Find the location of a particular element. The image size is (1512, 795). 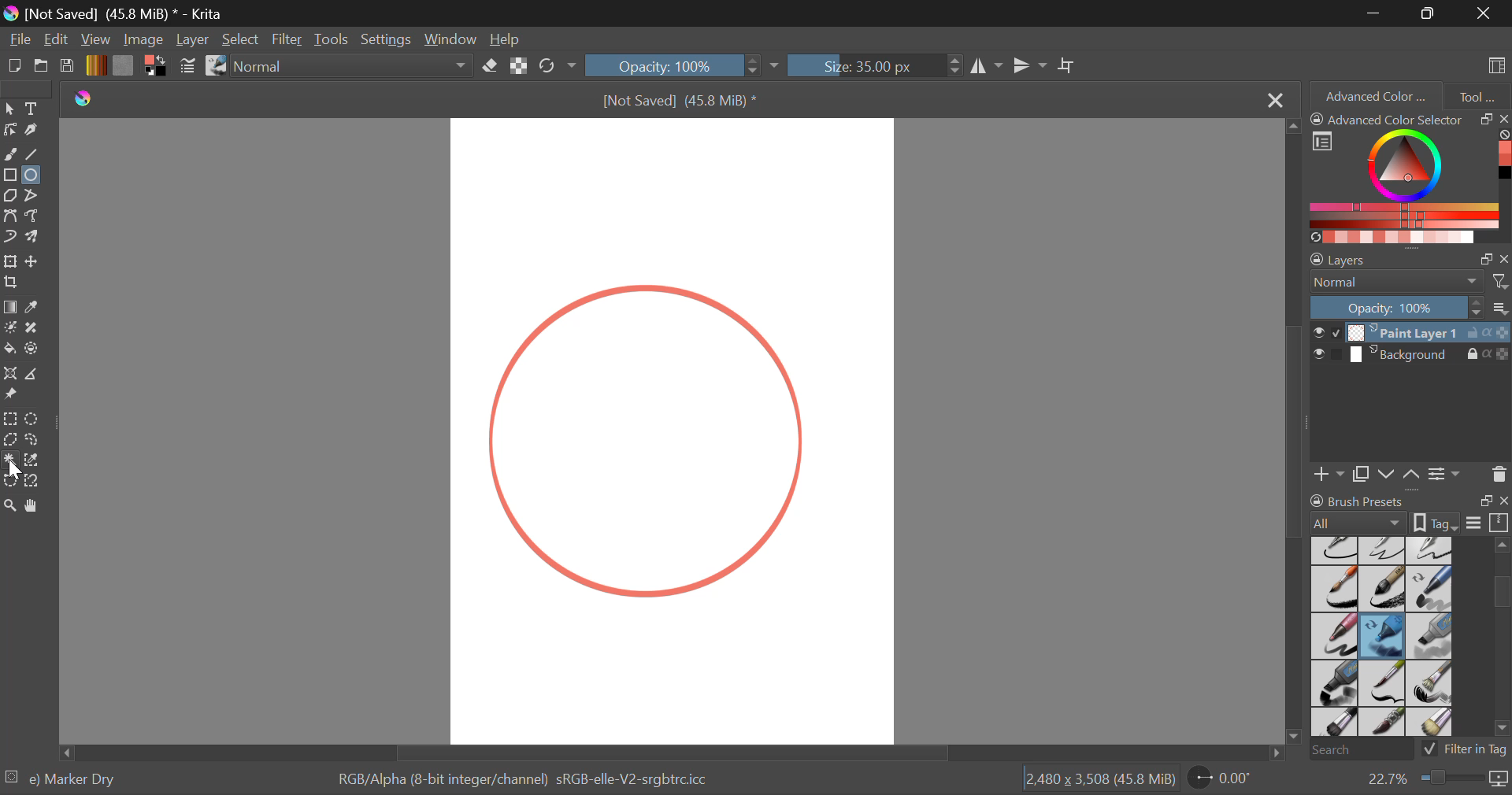

Multibrush Tool is located at coordinates (37, 238).